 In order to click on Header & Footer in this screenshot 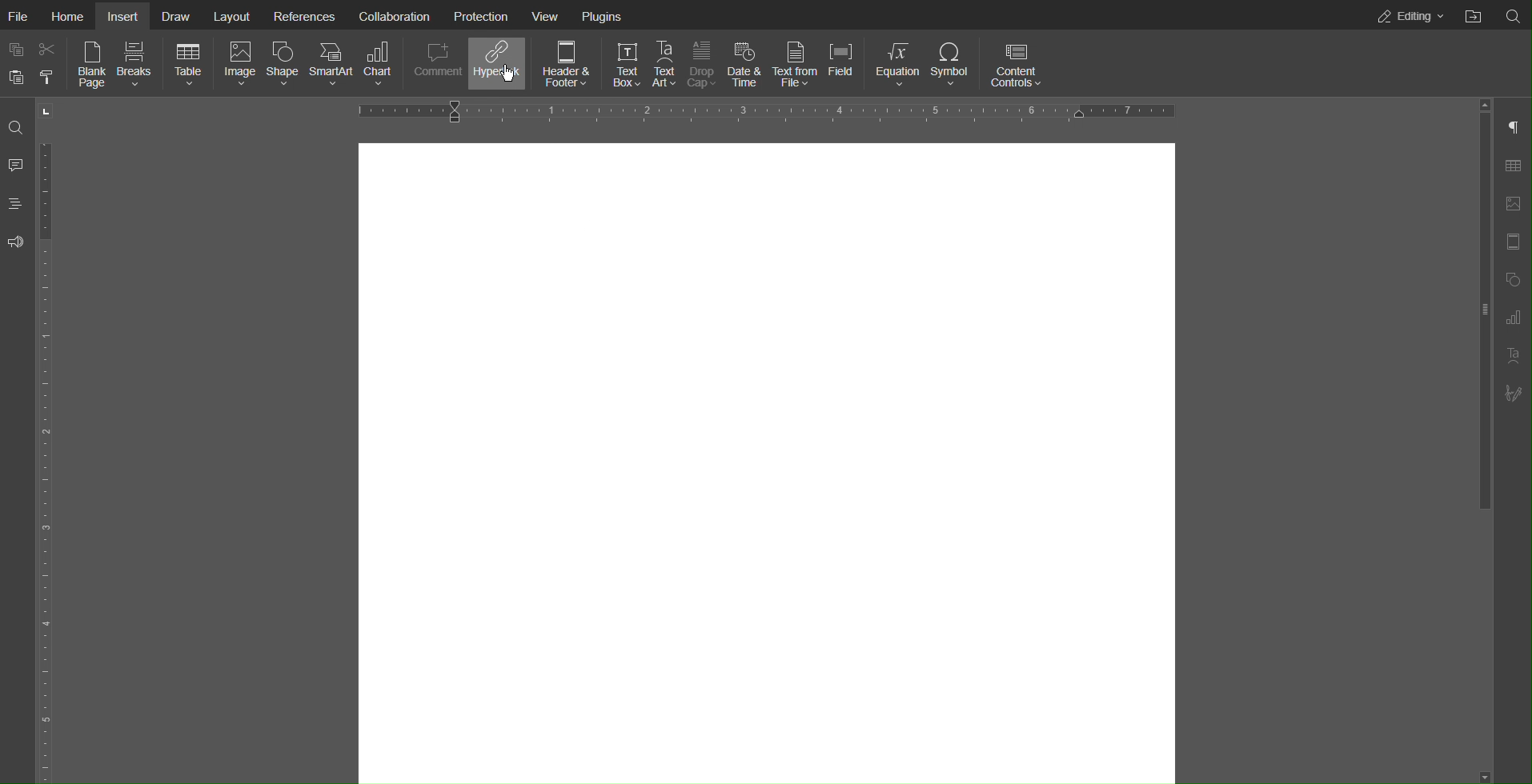, I will do `click(565, 63)`.